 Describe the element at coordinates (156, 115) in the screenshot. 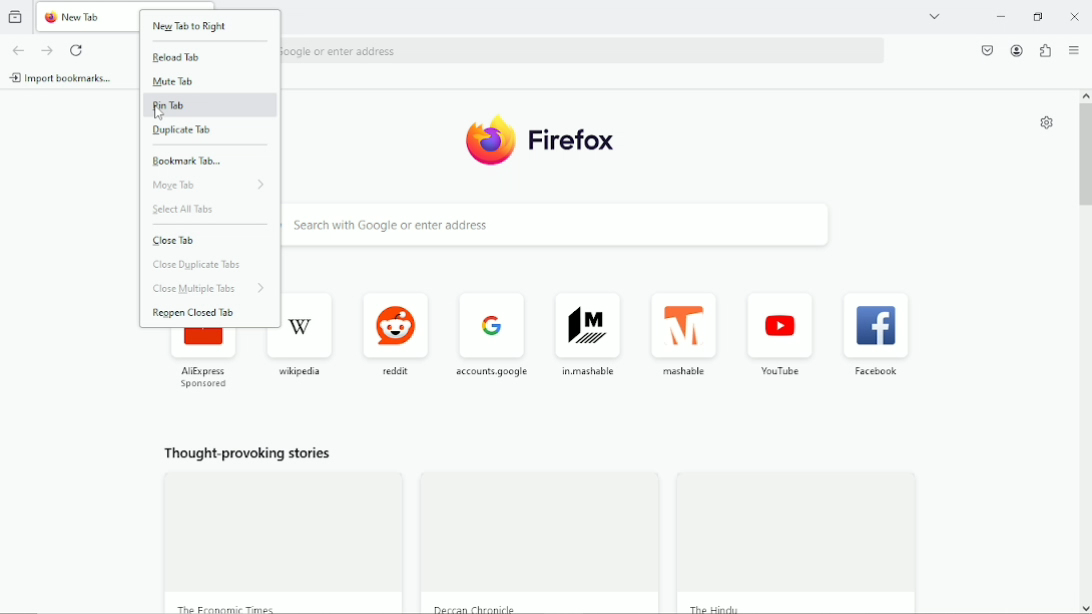

I see `cursor` at that location.